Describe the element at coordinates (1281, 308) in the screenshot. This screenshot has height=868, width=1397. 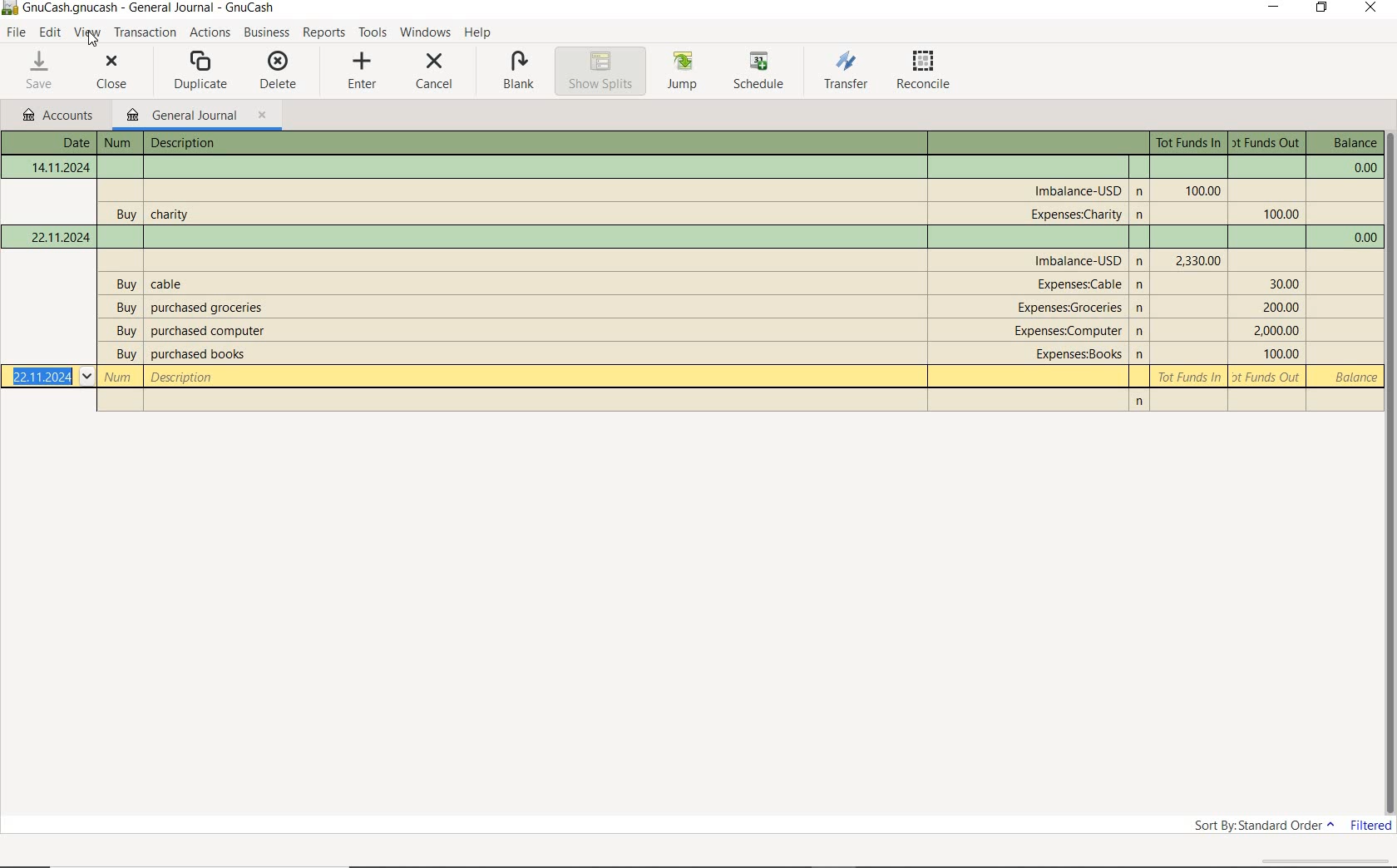
I see `Tot Funds Out` at that location.